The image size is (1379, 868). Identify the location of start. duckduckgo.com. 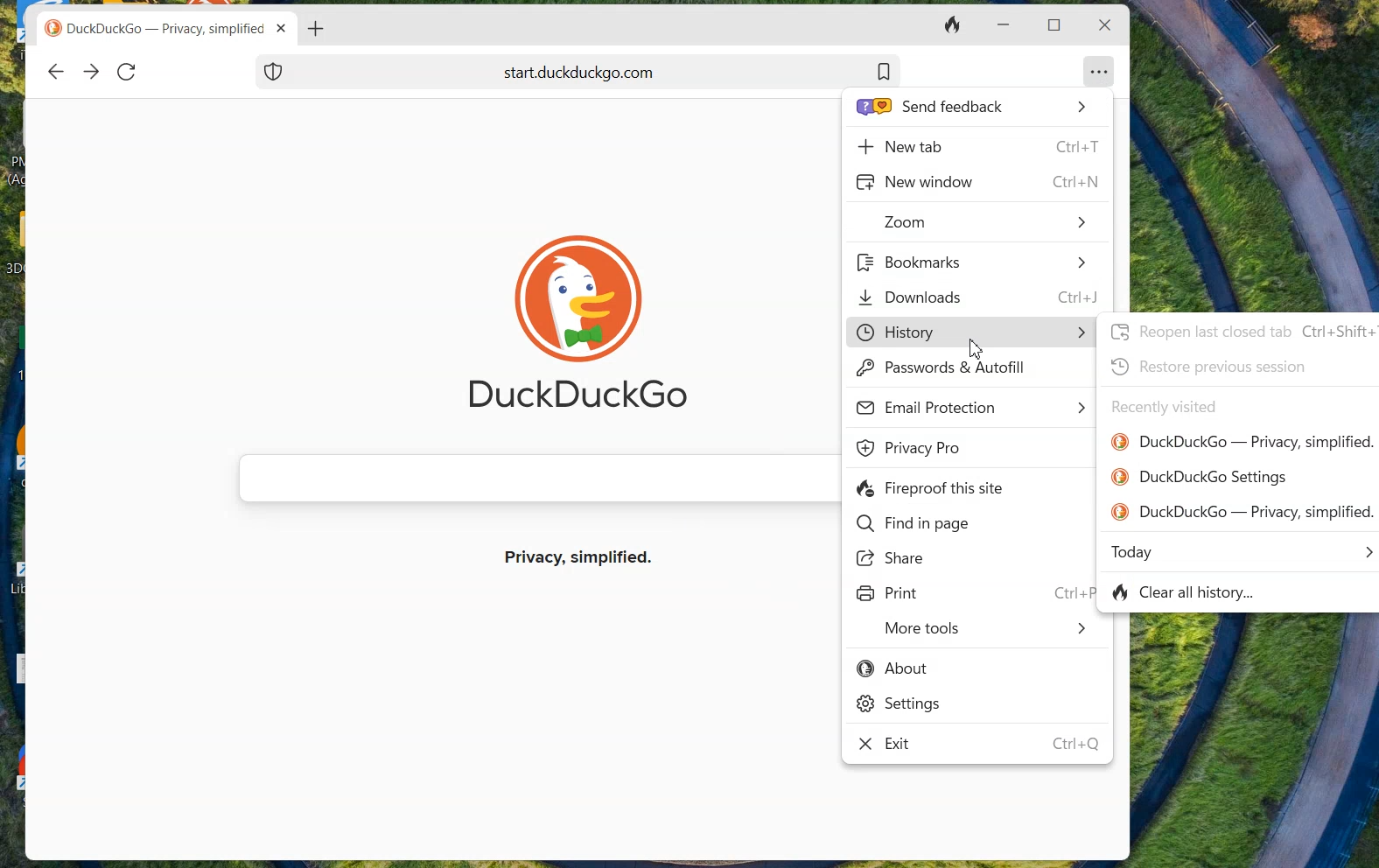
(622, 71).